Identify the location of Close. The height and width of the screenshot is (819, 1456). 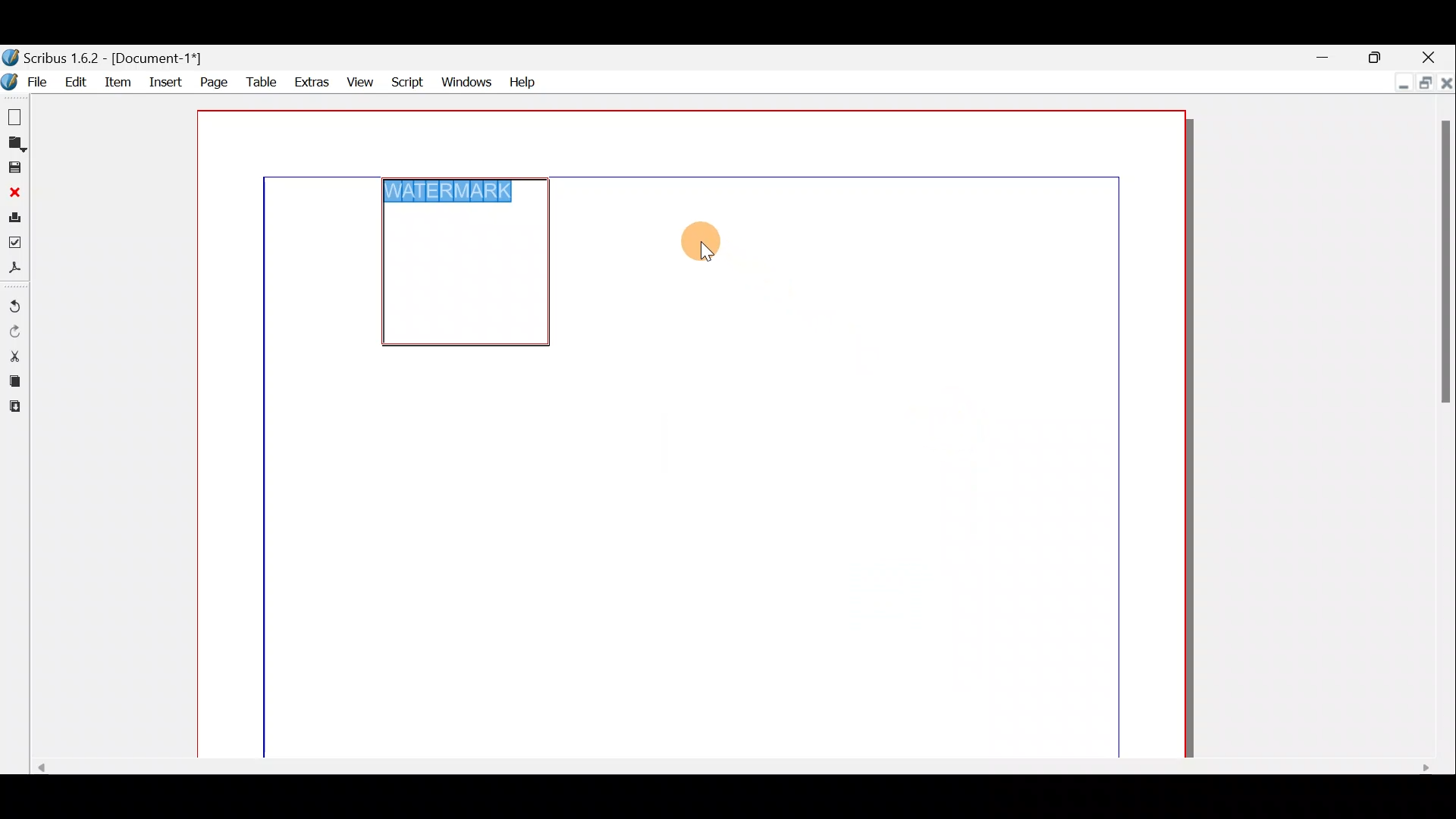
(1432, 55).